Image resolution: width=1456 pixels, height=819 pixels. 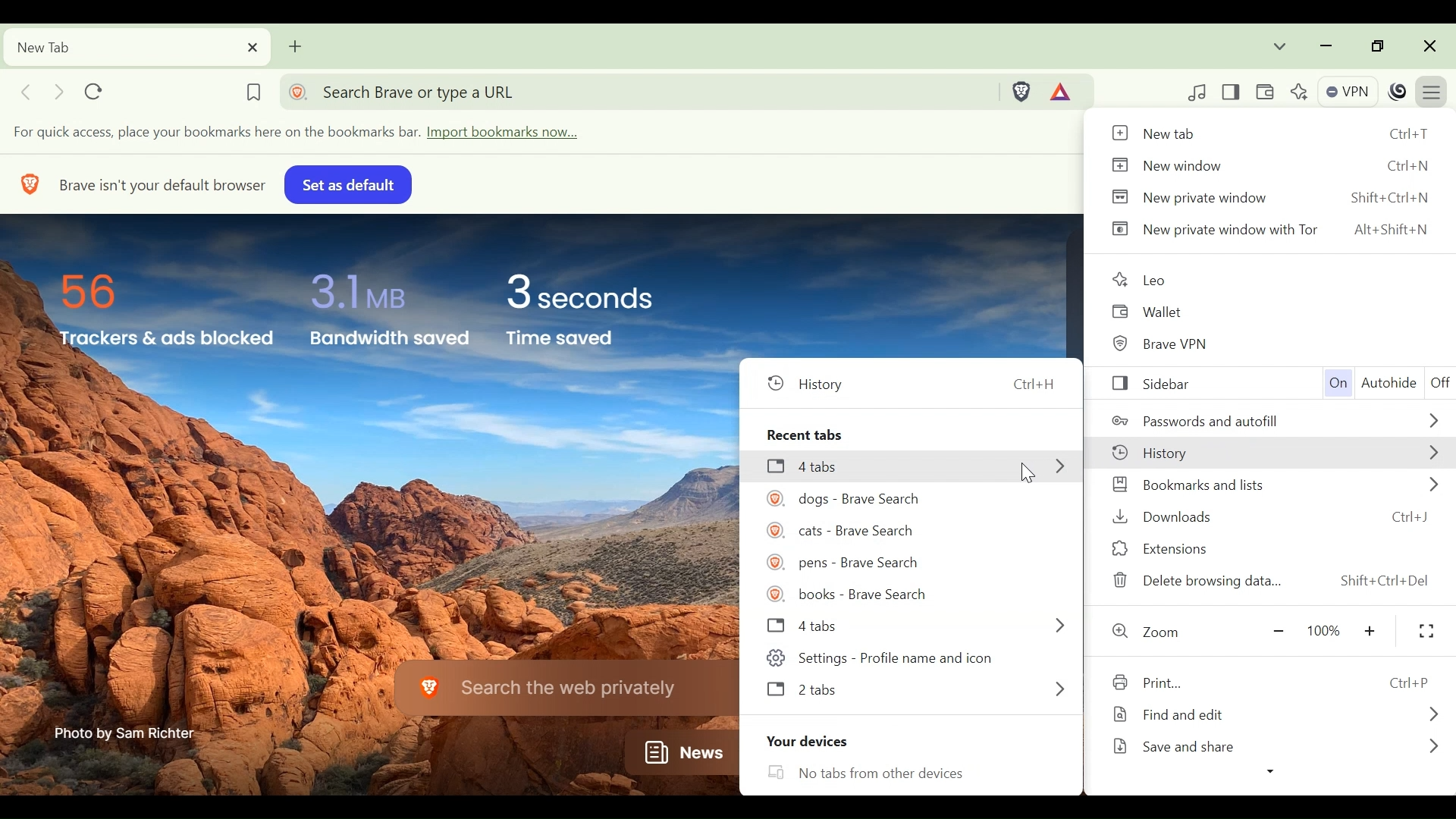 What do you see at coordinates (1326, 45) in the screenshot?
I see `minimize` at bounding box center [1326, 45].